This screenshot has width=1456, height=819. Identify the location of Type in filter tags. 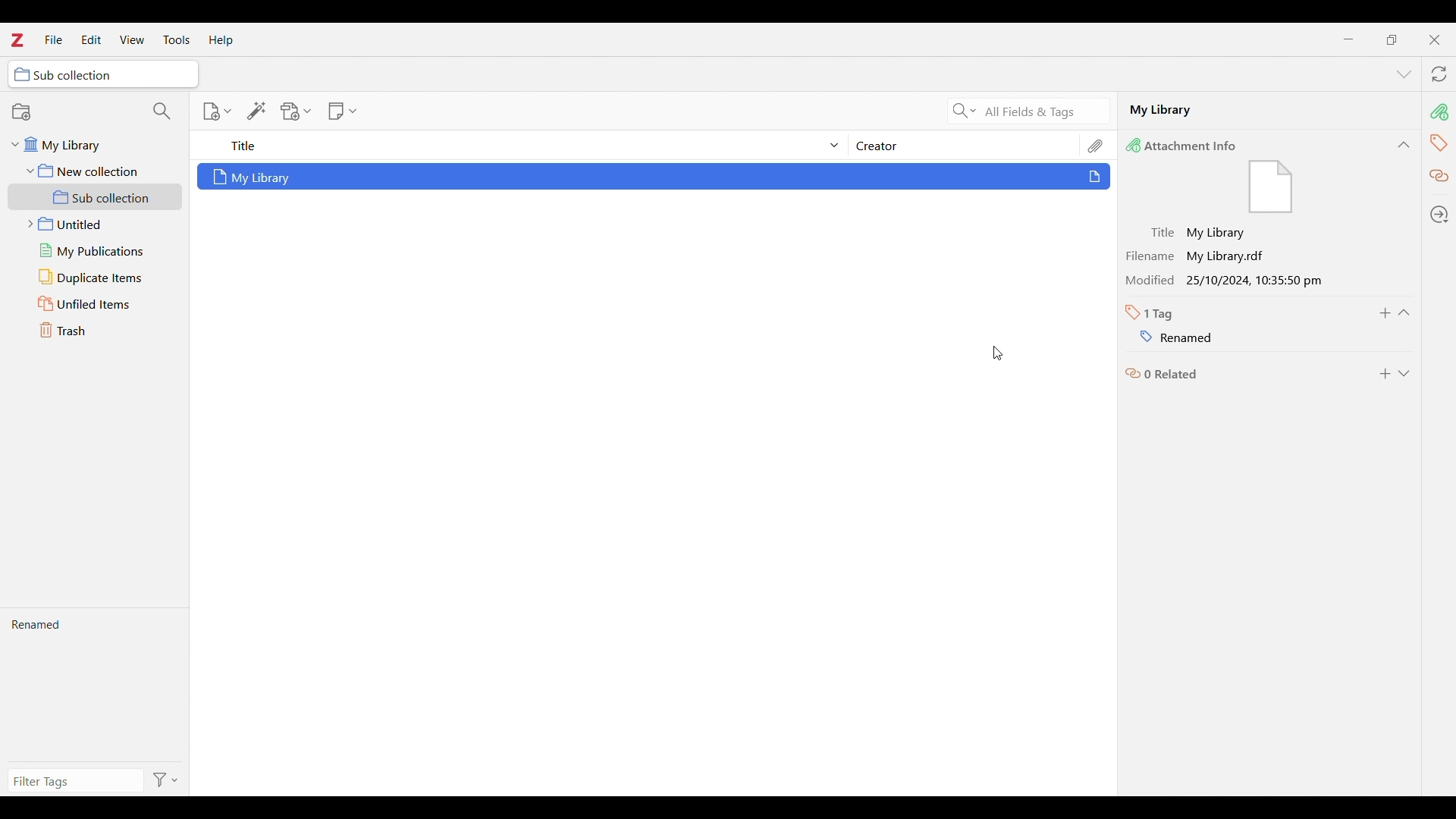
(73, 783).